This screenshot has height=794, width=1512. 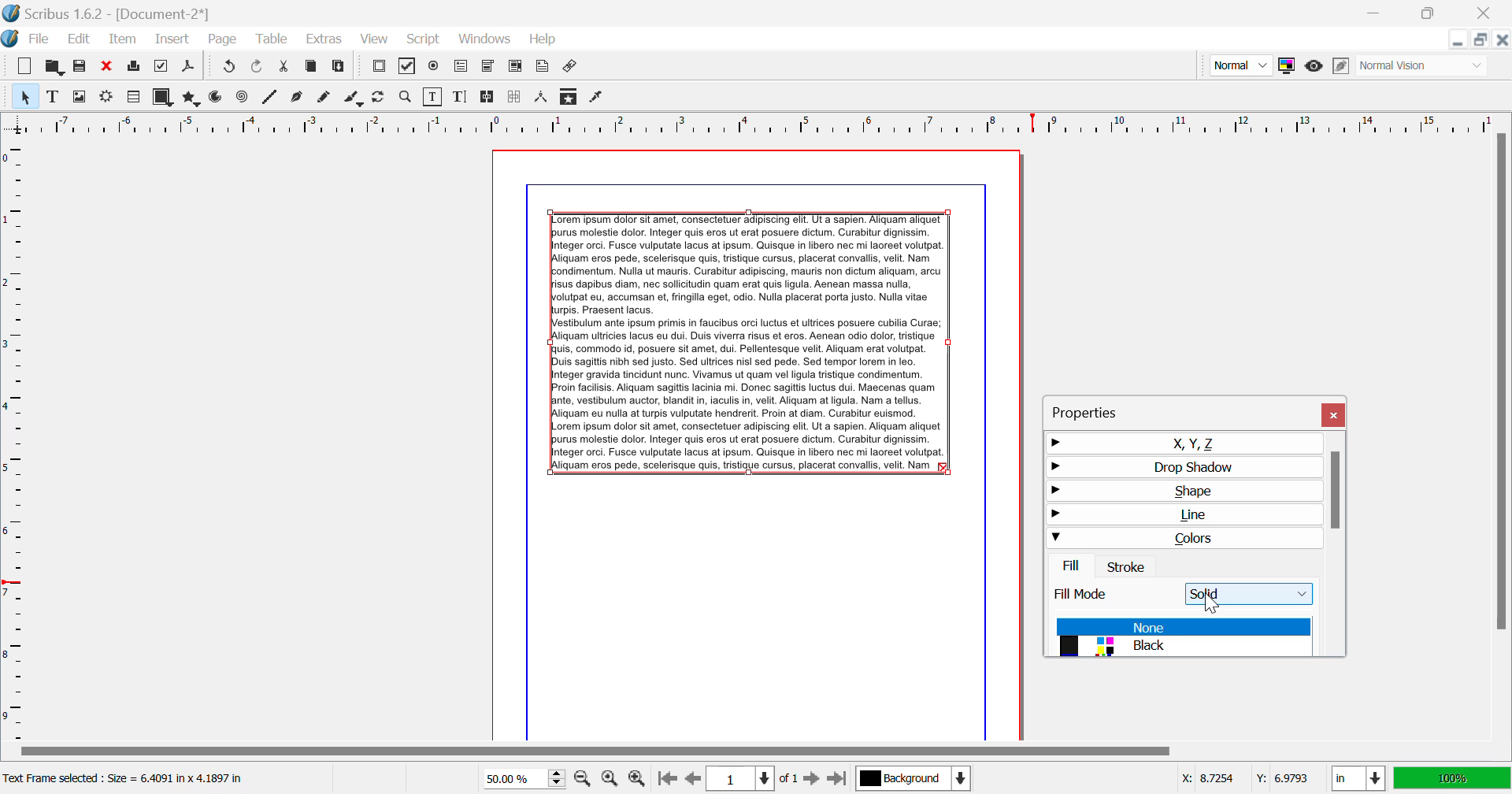 What do you see at coordinates (542, 68) in the screenshot?
I see `Text Annotation` at bounding box center [542, 68].